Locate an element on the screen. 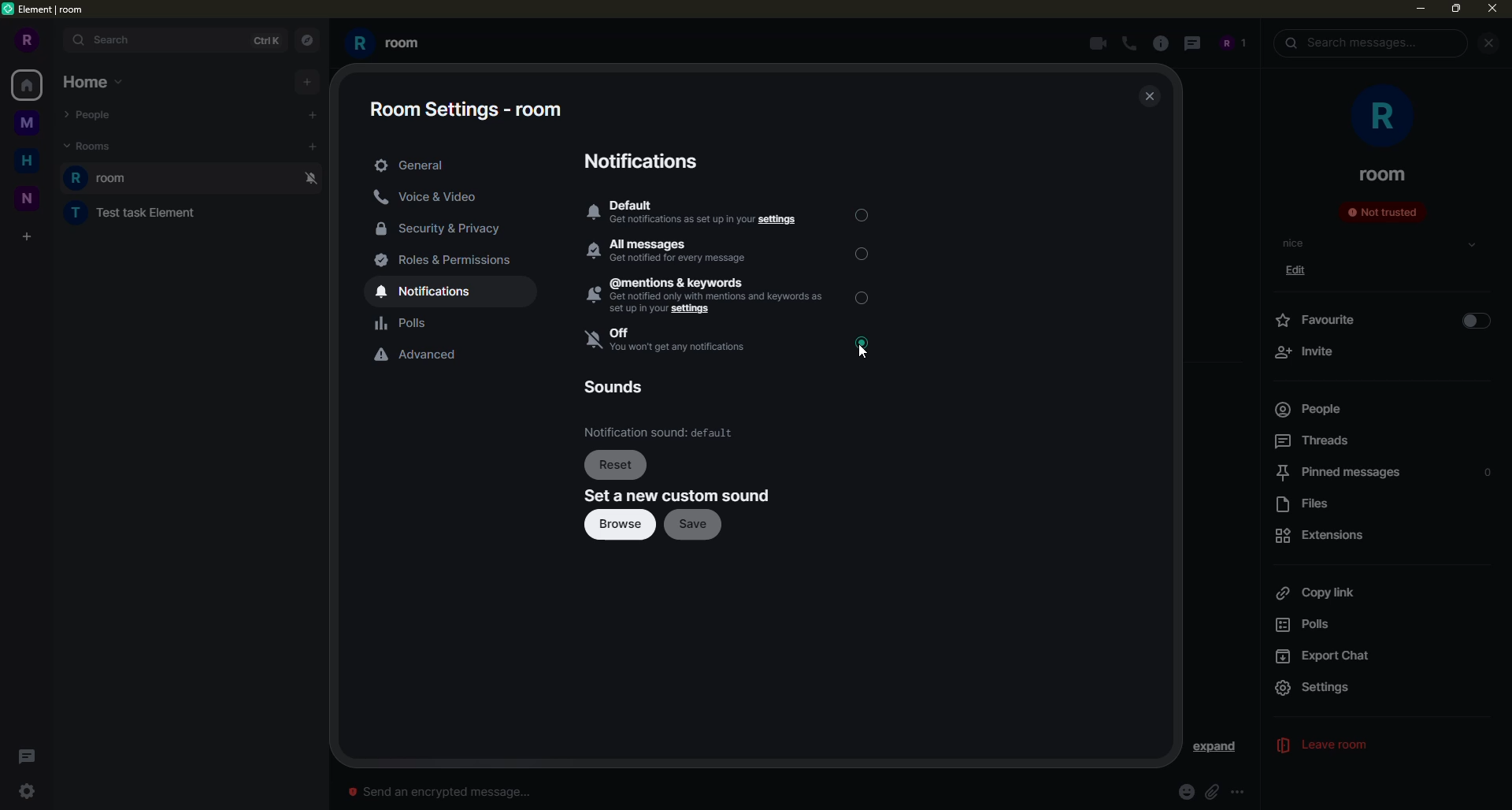 The image size is (1512, 810). call is located at coordinates (1131, 45).